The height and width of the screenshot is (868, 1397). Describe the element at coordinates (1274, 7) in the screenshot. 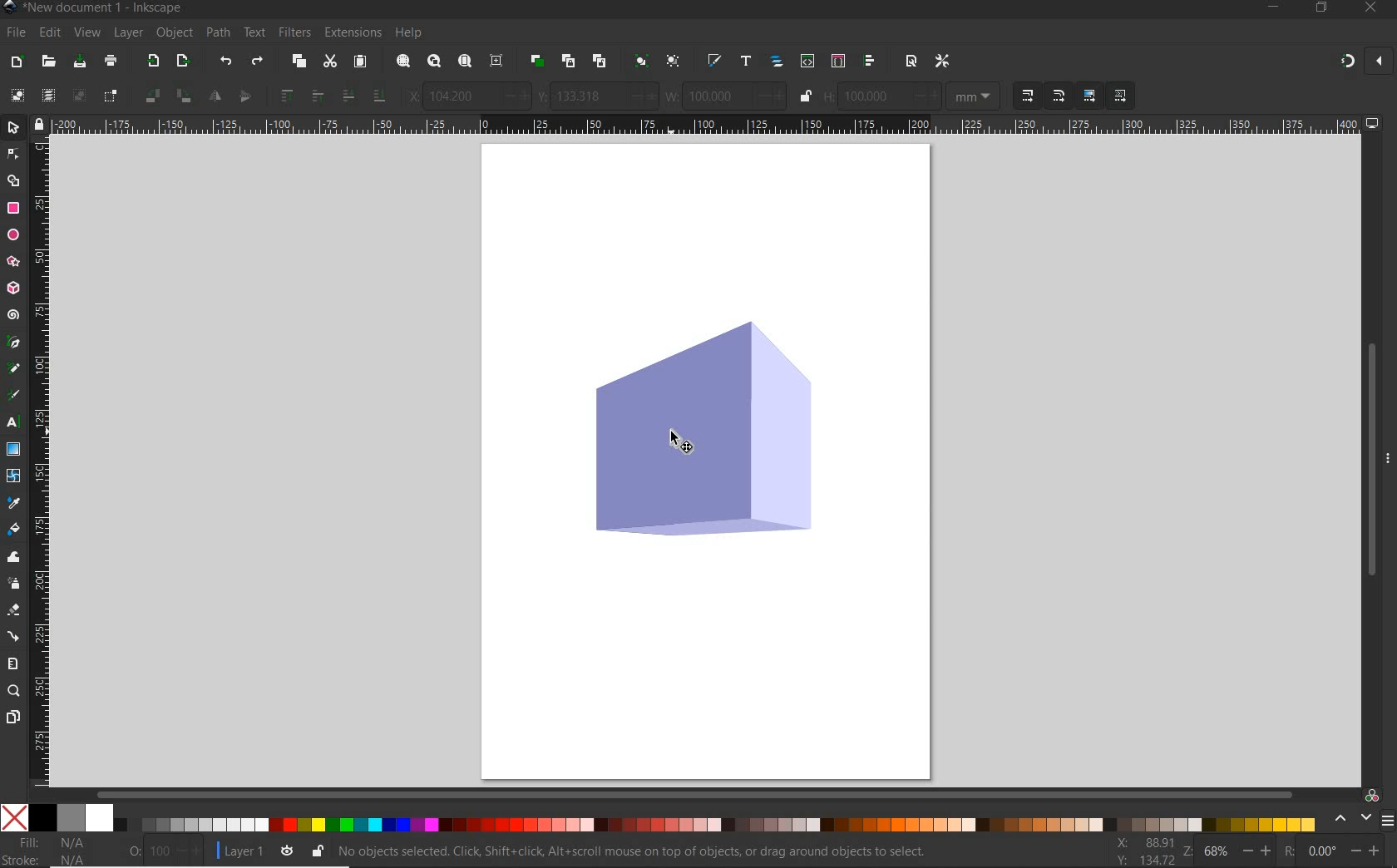

I see `MINIMIZE` at that location.